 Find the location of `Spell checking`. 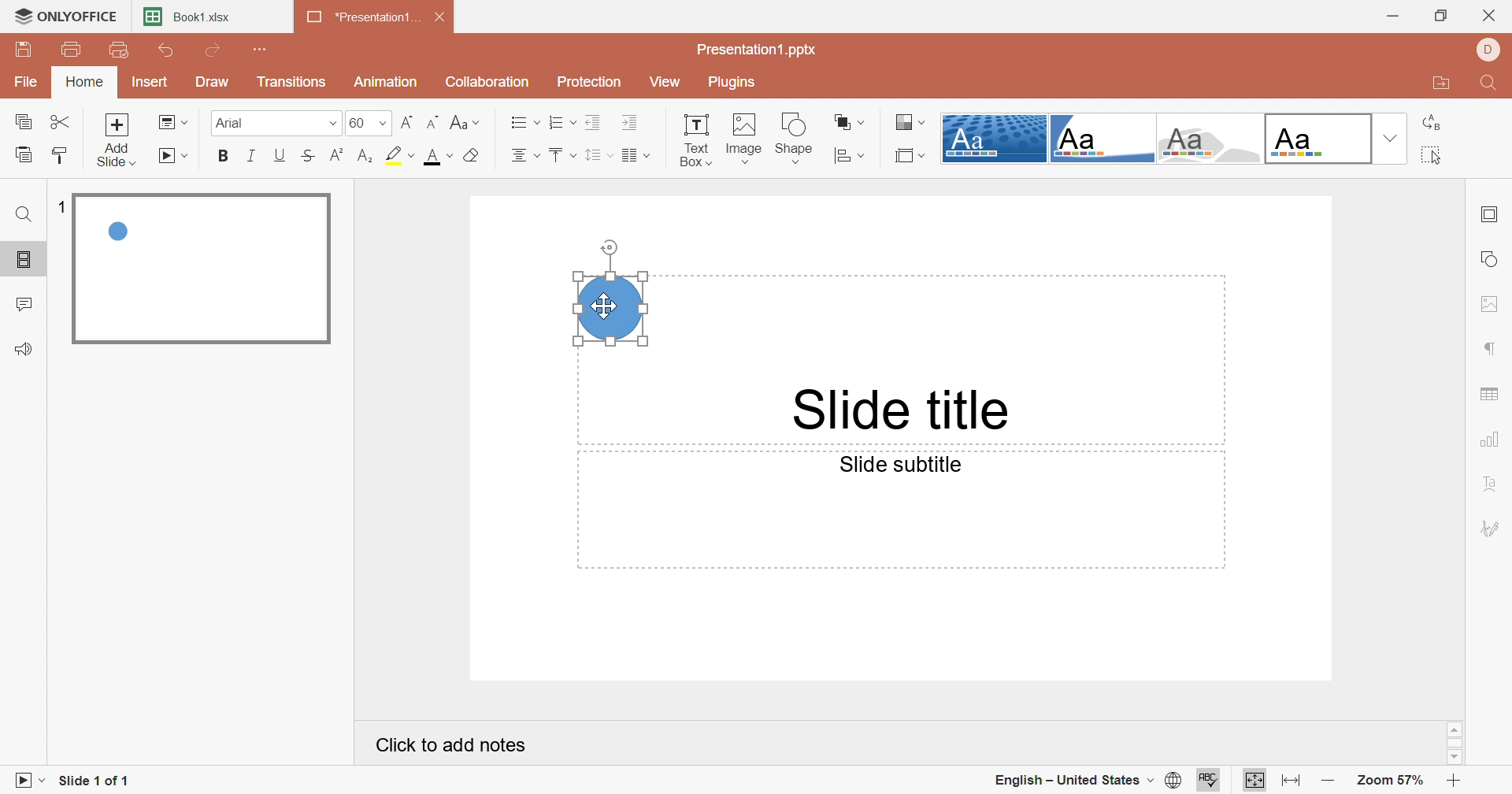

Spell checking is located at coordinates (1210, 781).